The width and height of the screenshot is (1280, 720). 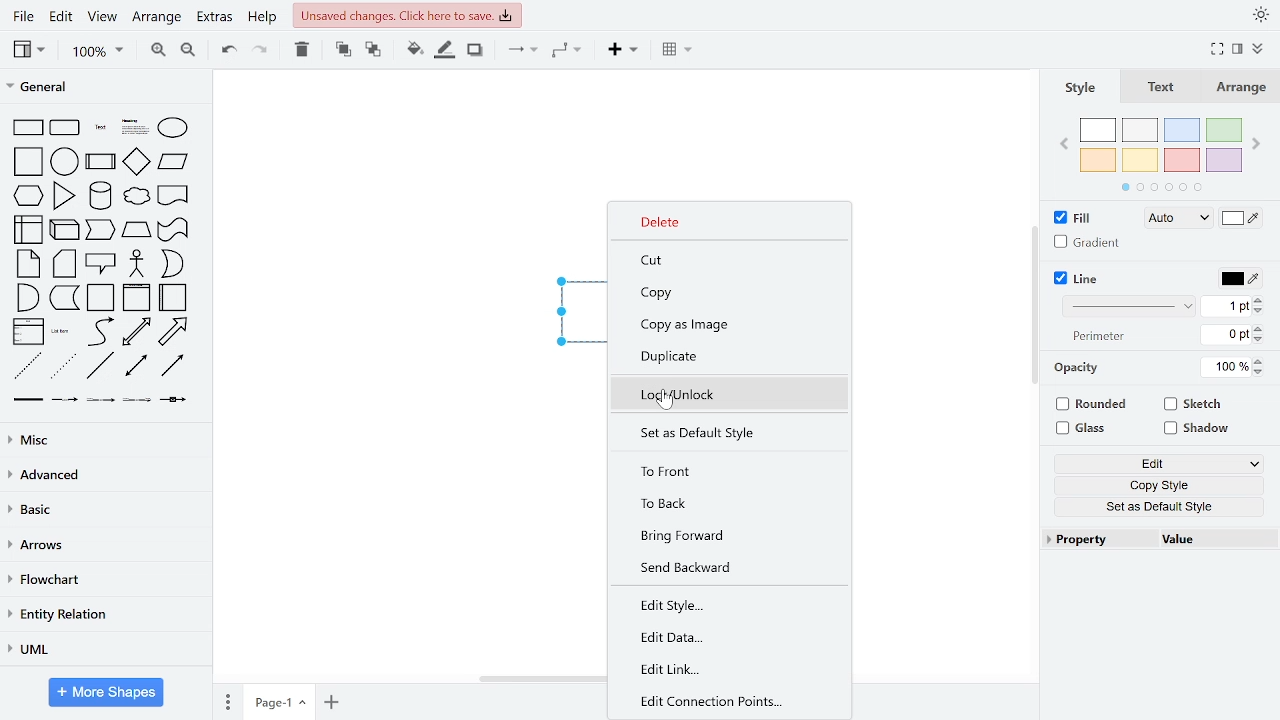 What do you see at coordinates (100, 365) in the screenshot?
I see `line` at bounding box center [100, 365].